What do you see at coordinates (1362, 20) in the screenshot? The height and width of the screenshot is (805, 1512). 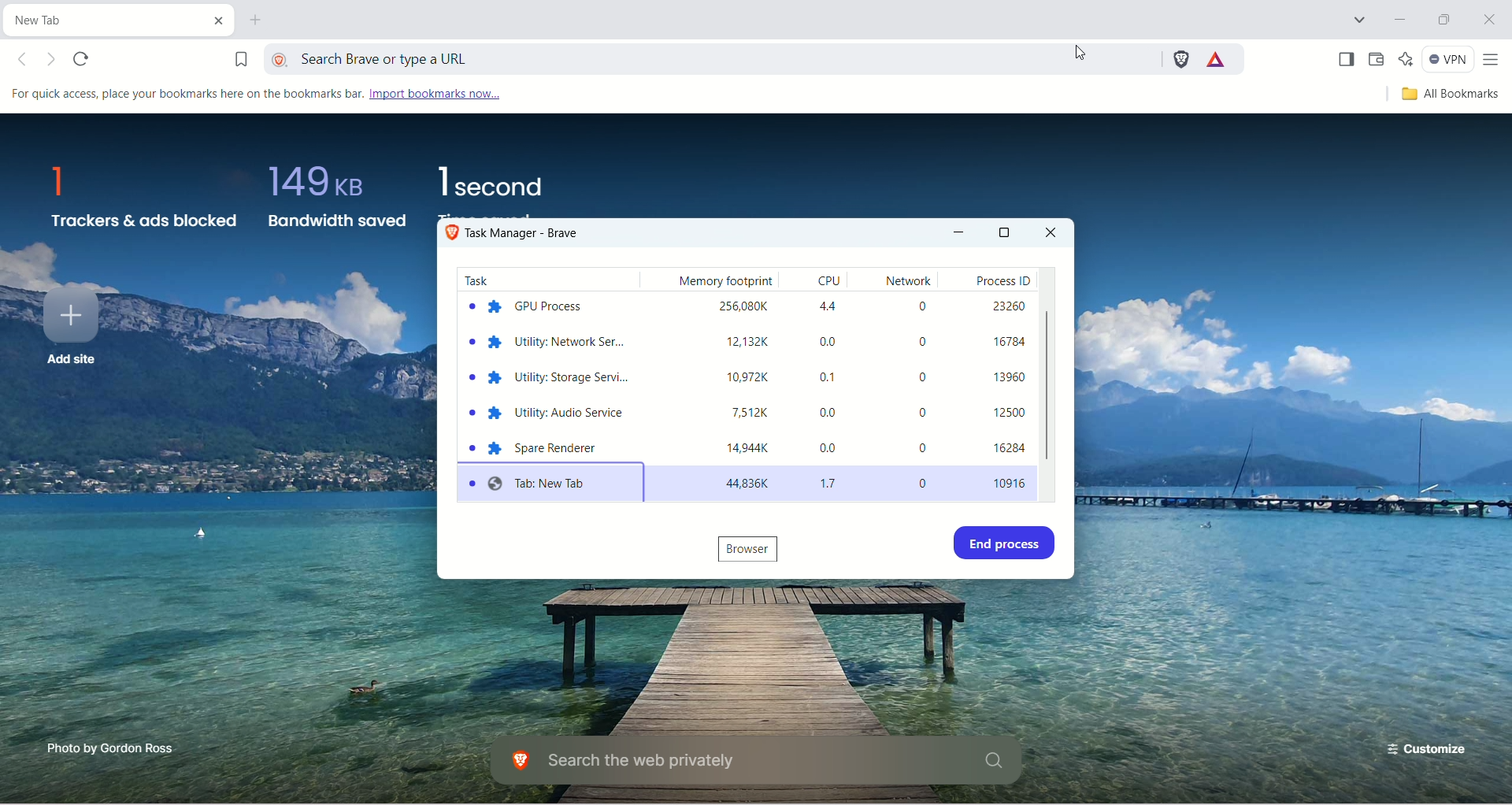 I see `search tab` at bounding box center [1362, 20].